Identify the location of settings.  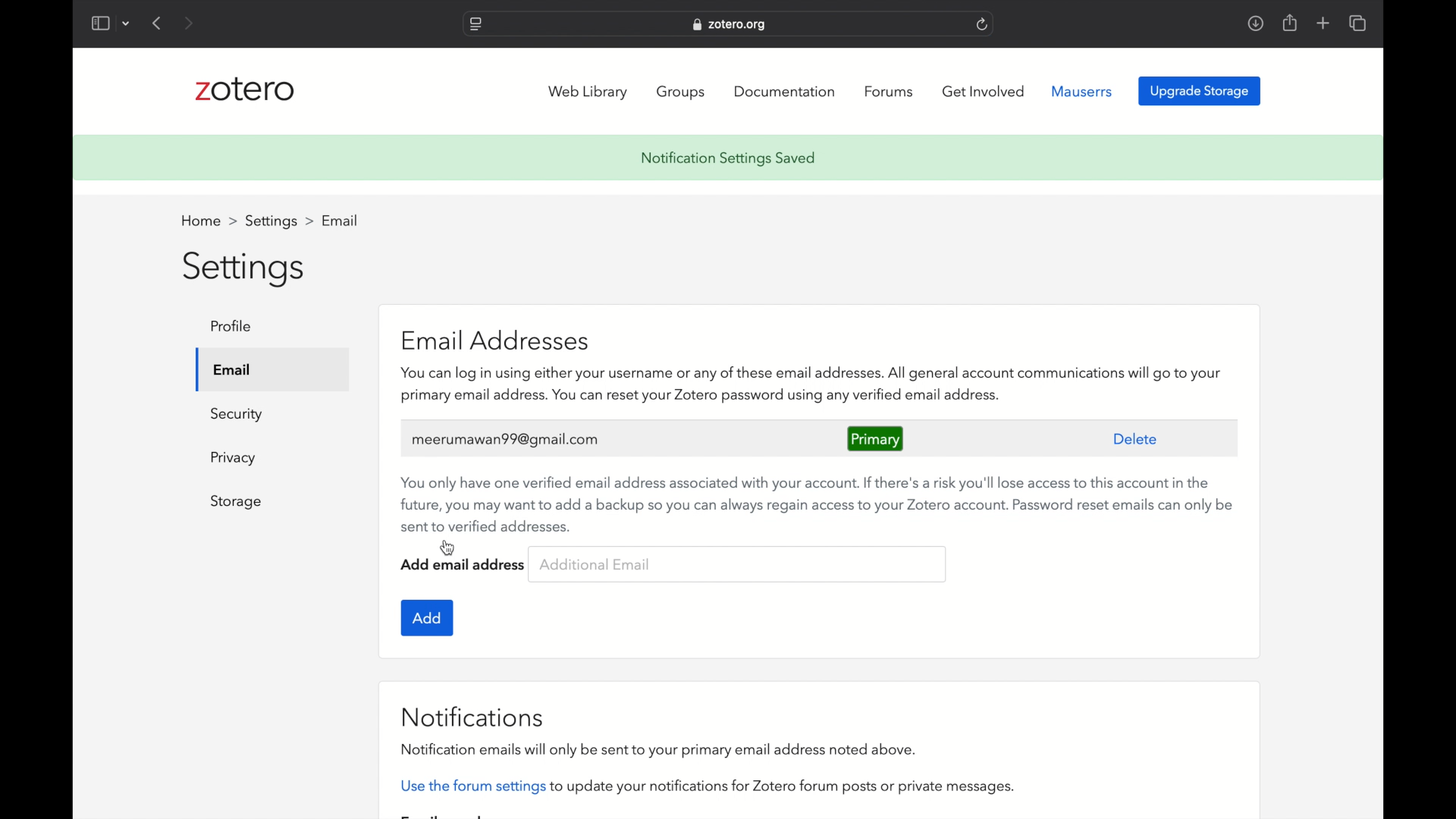
(279, 221).